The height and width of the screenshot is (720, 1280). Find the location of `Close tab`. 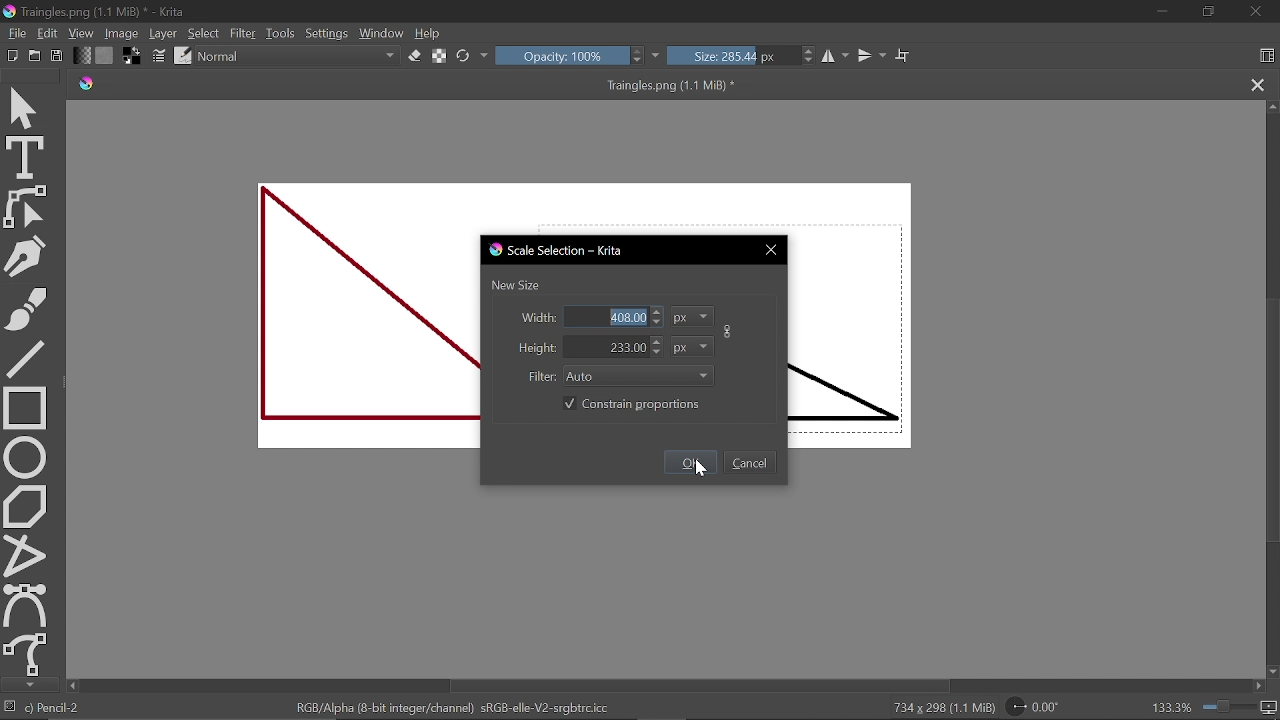

Close tab is located at coordinates (1256, 84).